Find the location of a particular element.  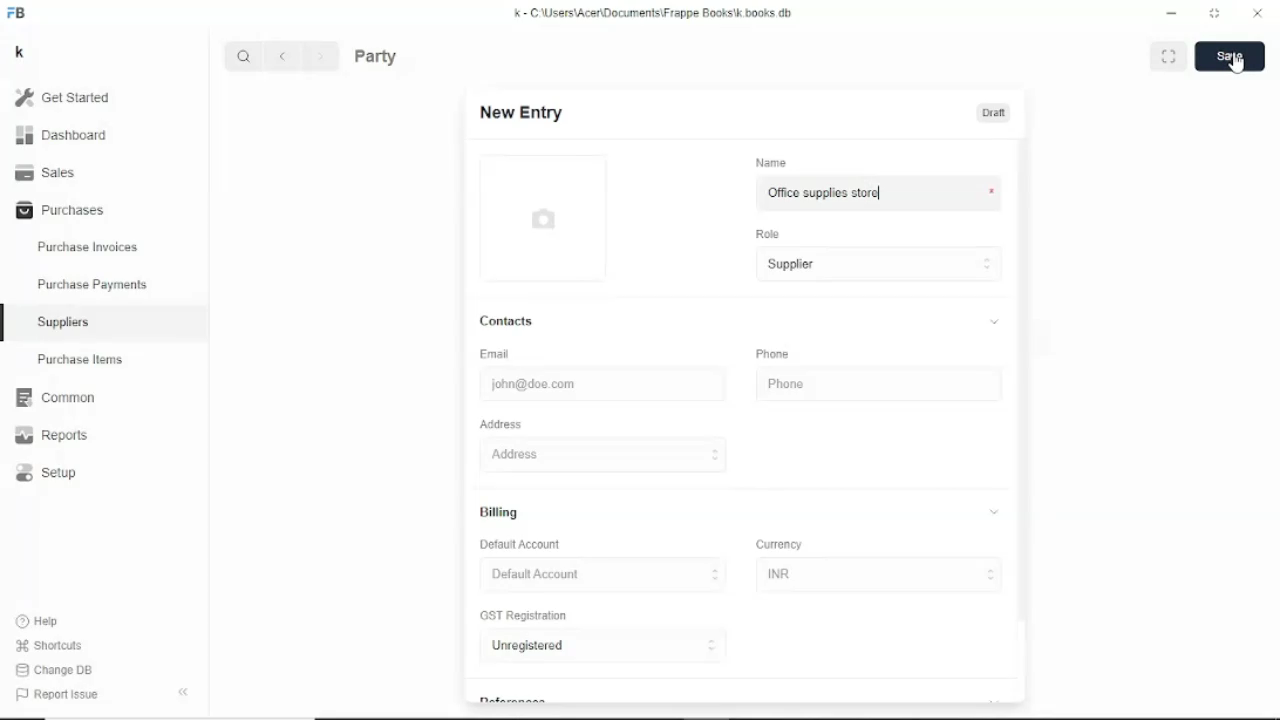

Default account is located at coordinates (603, 575).